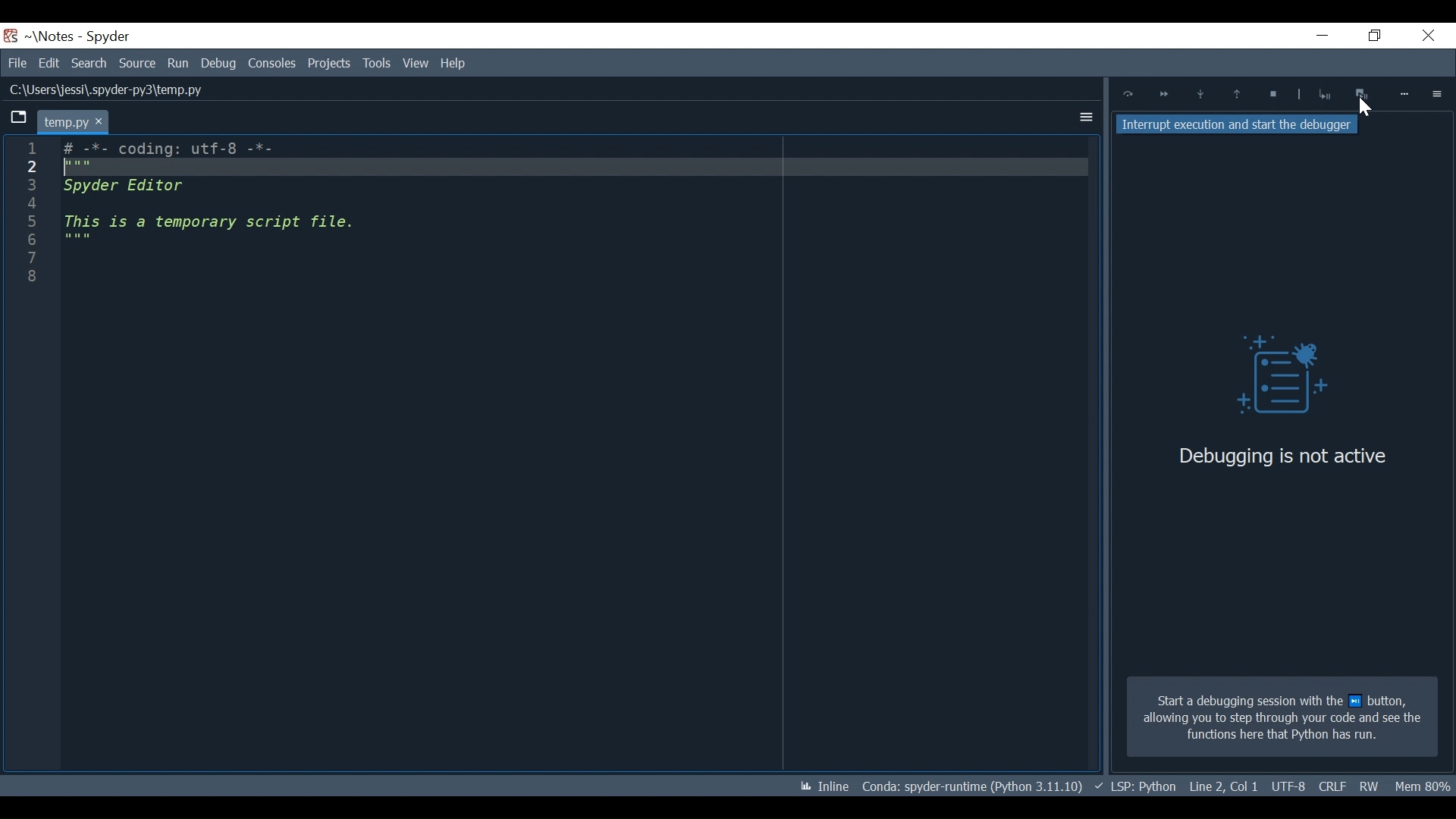 Image resolution: width=1456 pixels, height=819 pixels. Describe the element at coordinates (103, 90) in the screenshot. I see `File Path` at that location.